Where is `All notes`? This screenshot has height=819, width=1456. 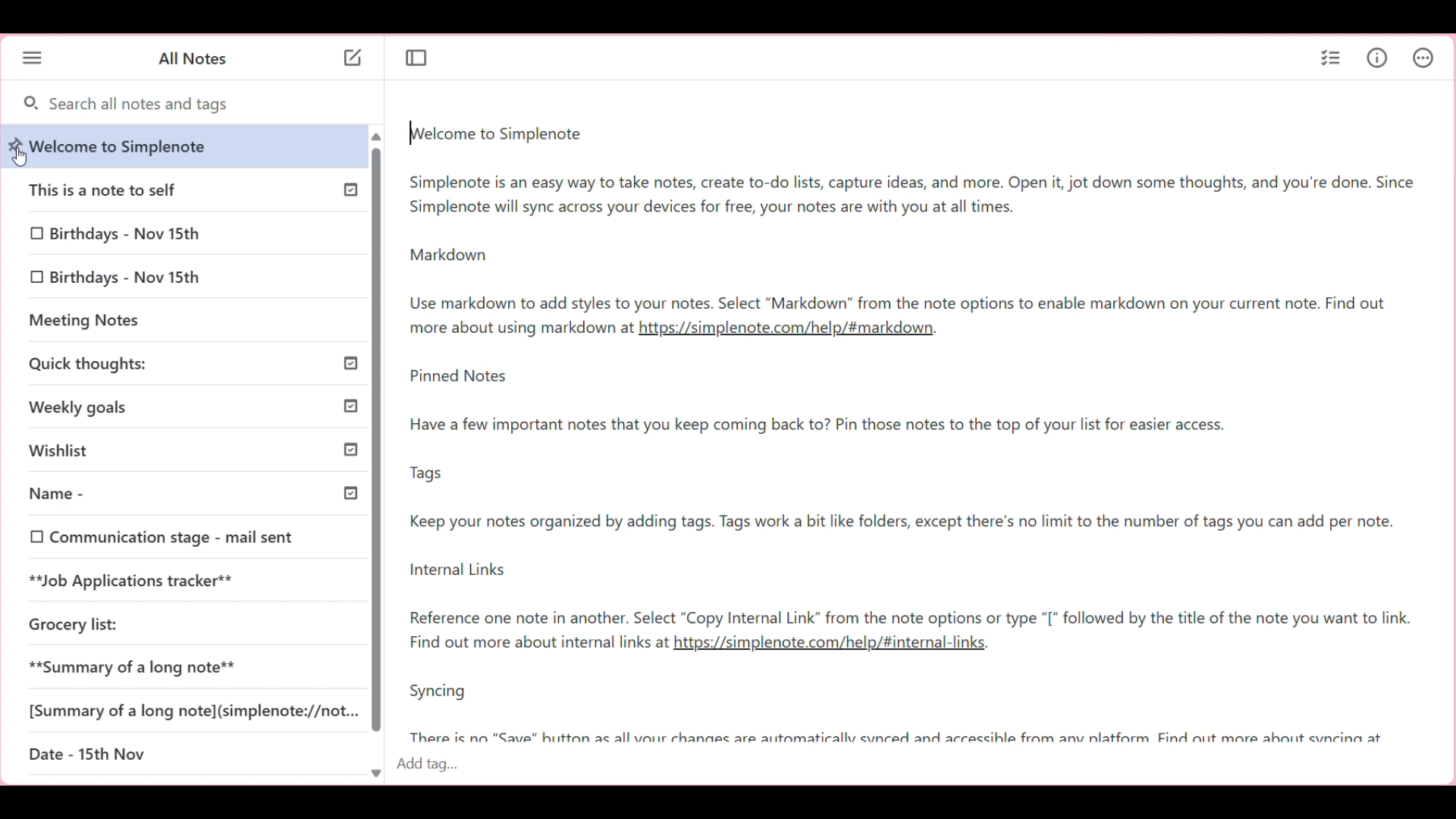
All notes is located at coordinates (192, 60).